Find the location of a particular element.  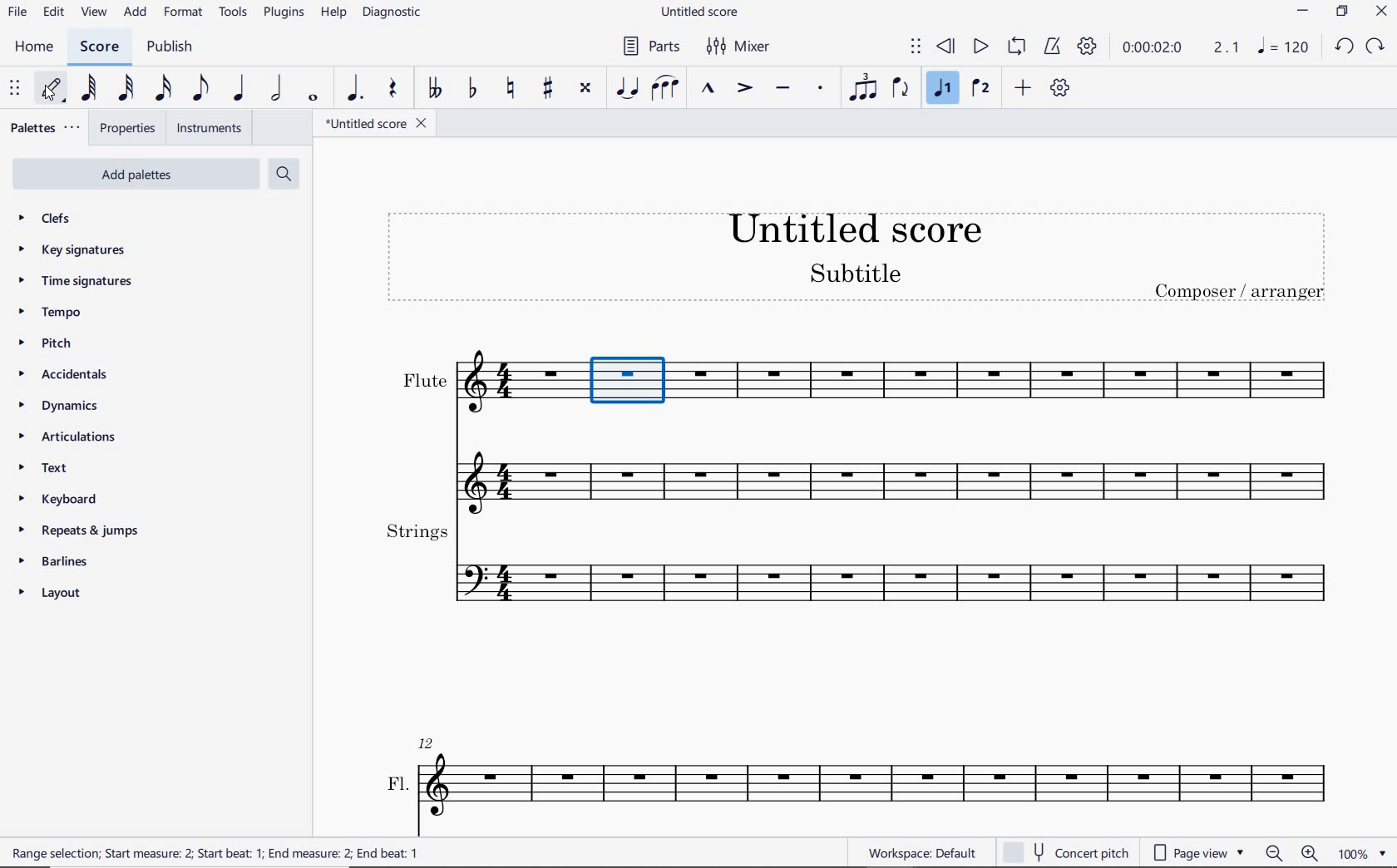

MARCATO is located at coordinates (708, 90).